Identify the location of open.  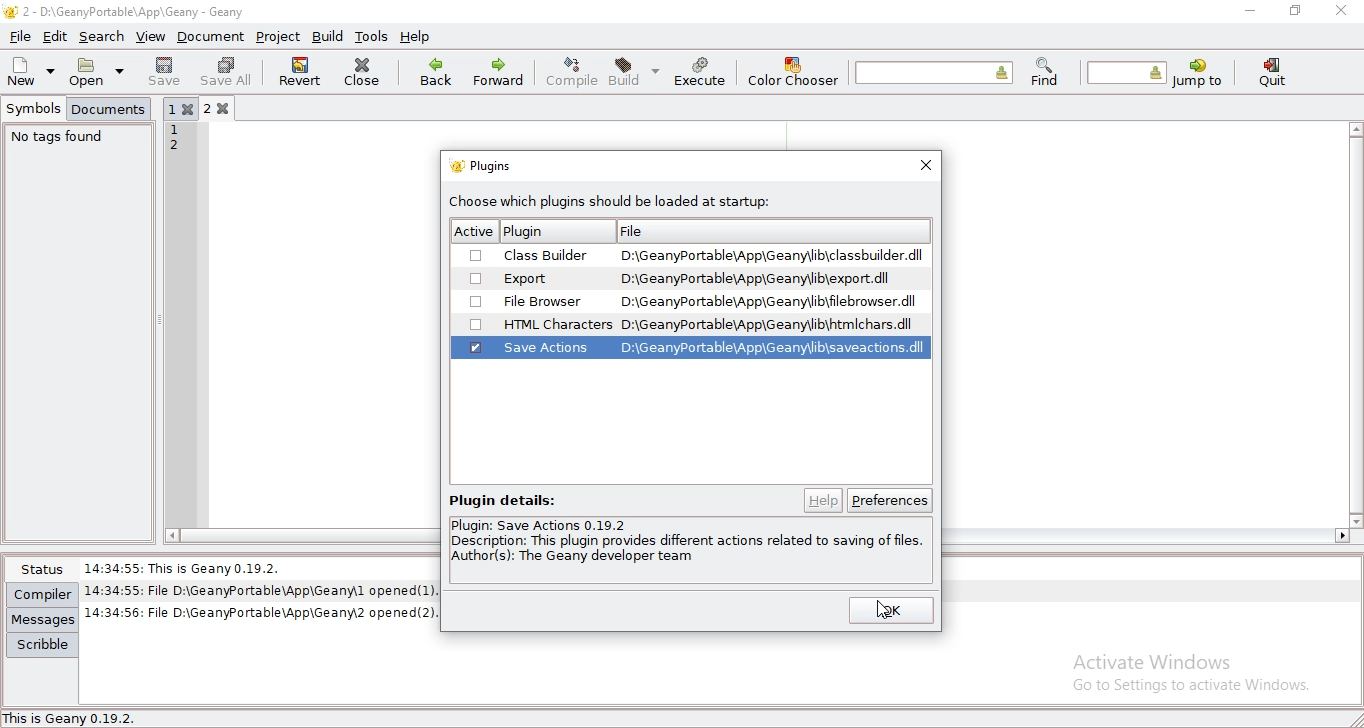
(91, 72).